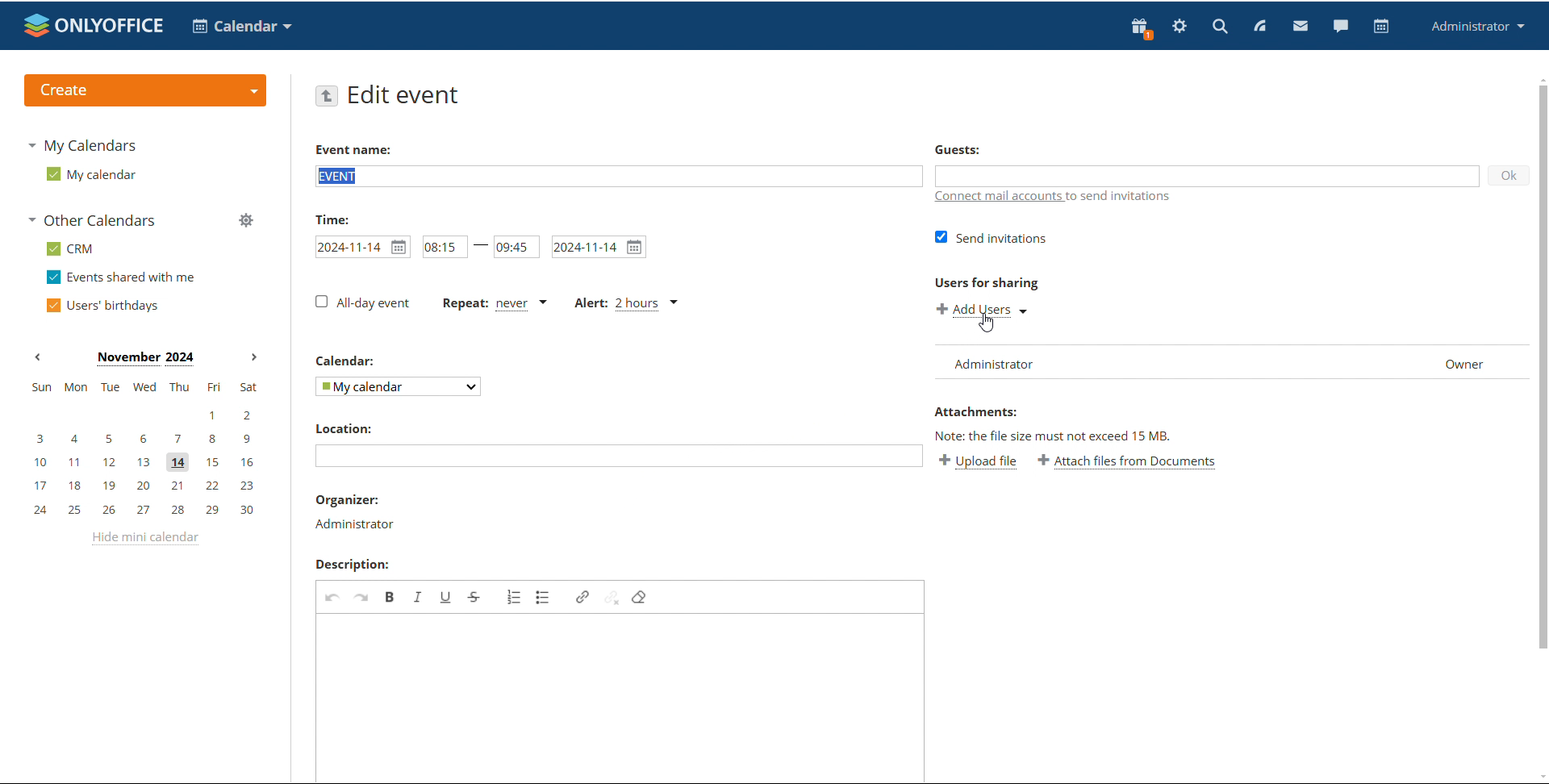 This screenshot has width=1549, height=784. I want to click on chat, so click(1340, 25).